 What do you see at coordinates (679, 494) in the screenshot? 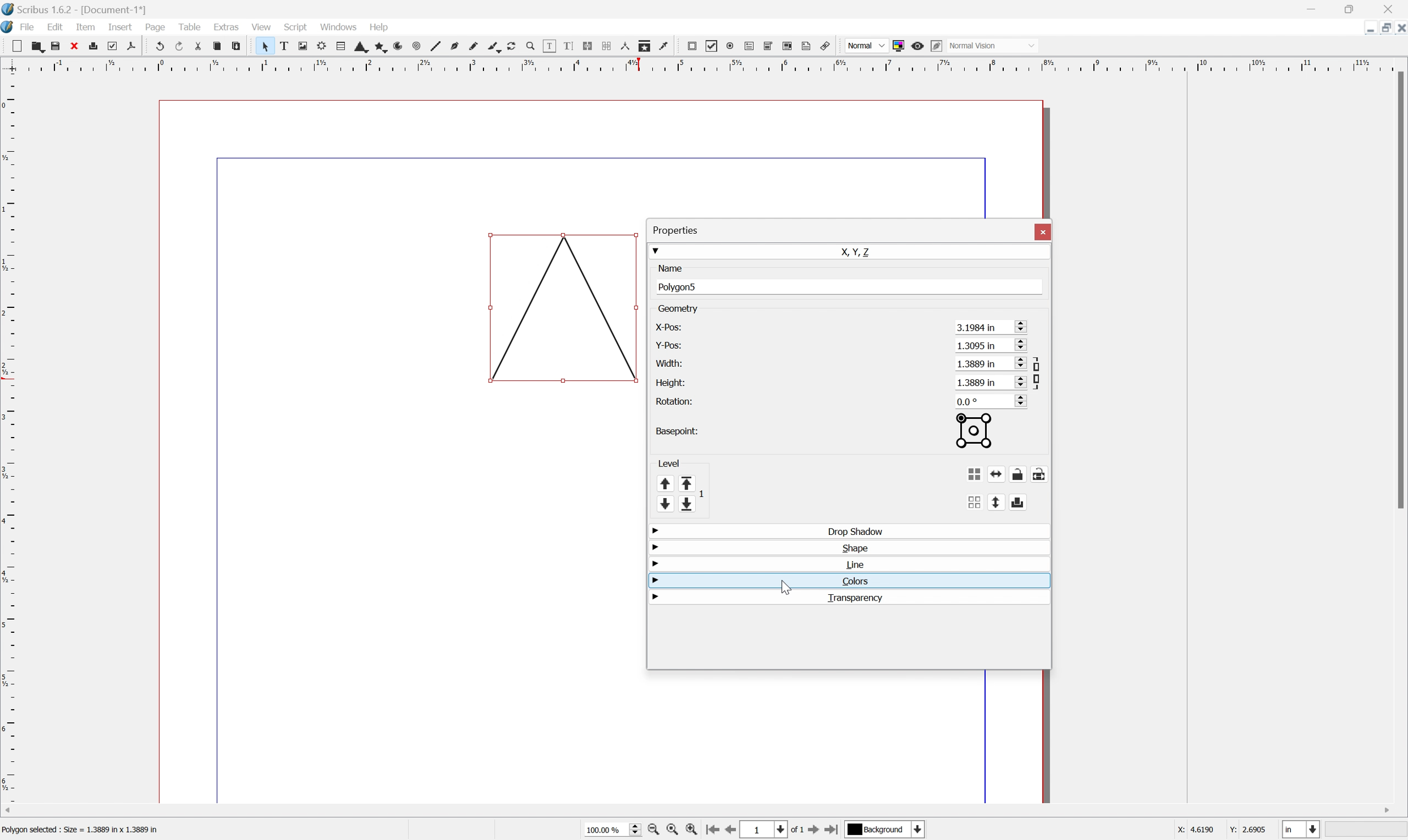
I see `Level` at bounding box center [679, 494].